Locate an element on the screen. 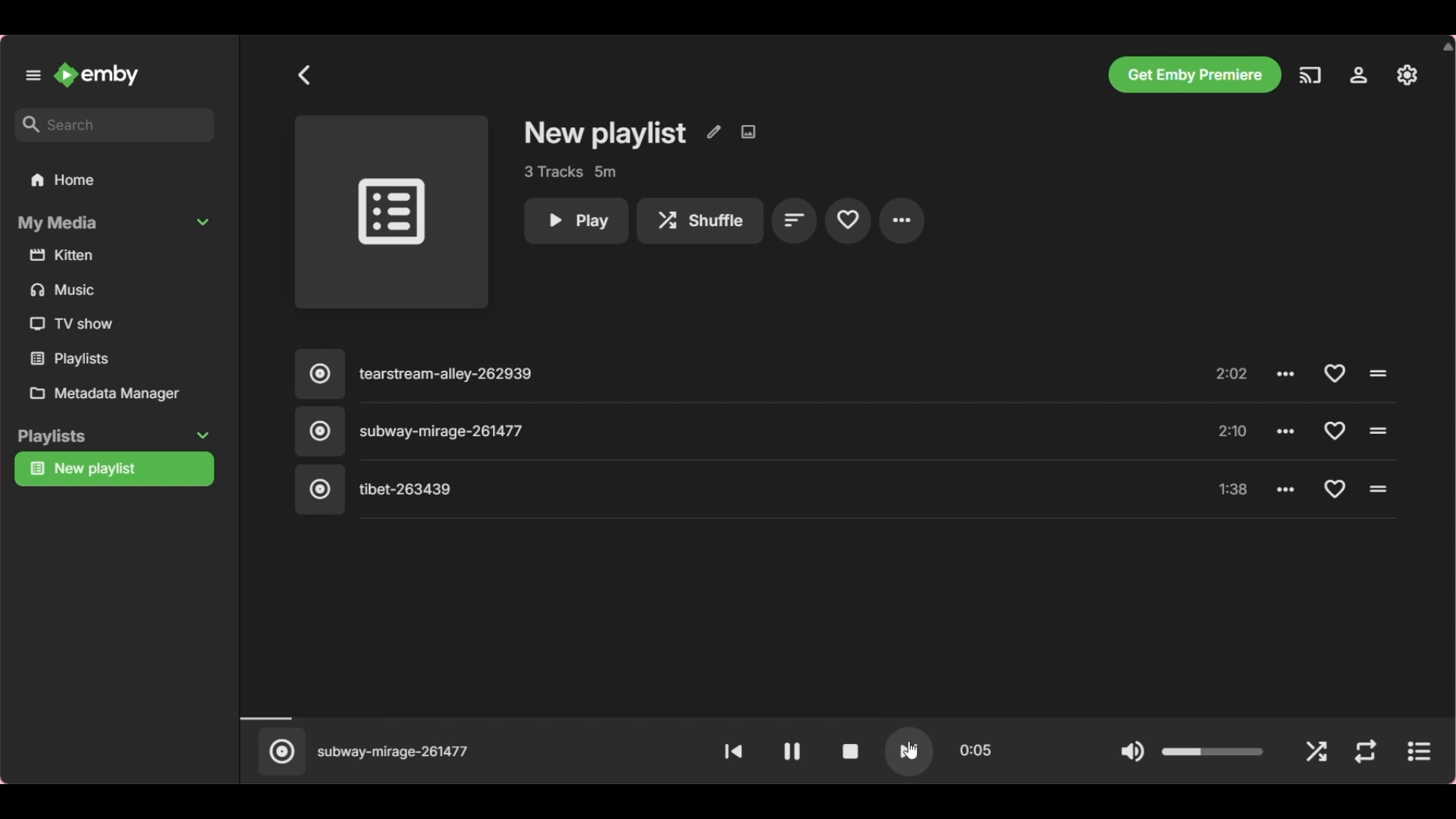 The width and height of the screenshot is (1456, 819). Metadata manager is located at coordinates (119, 394).